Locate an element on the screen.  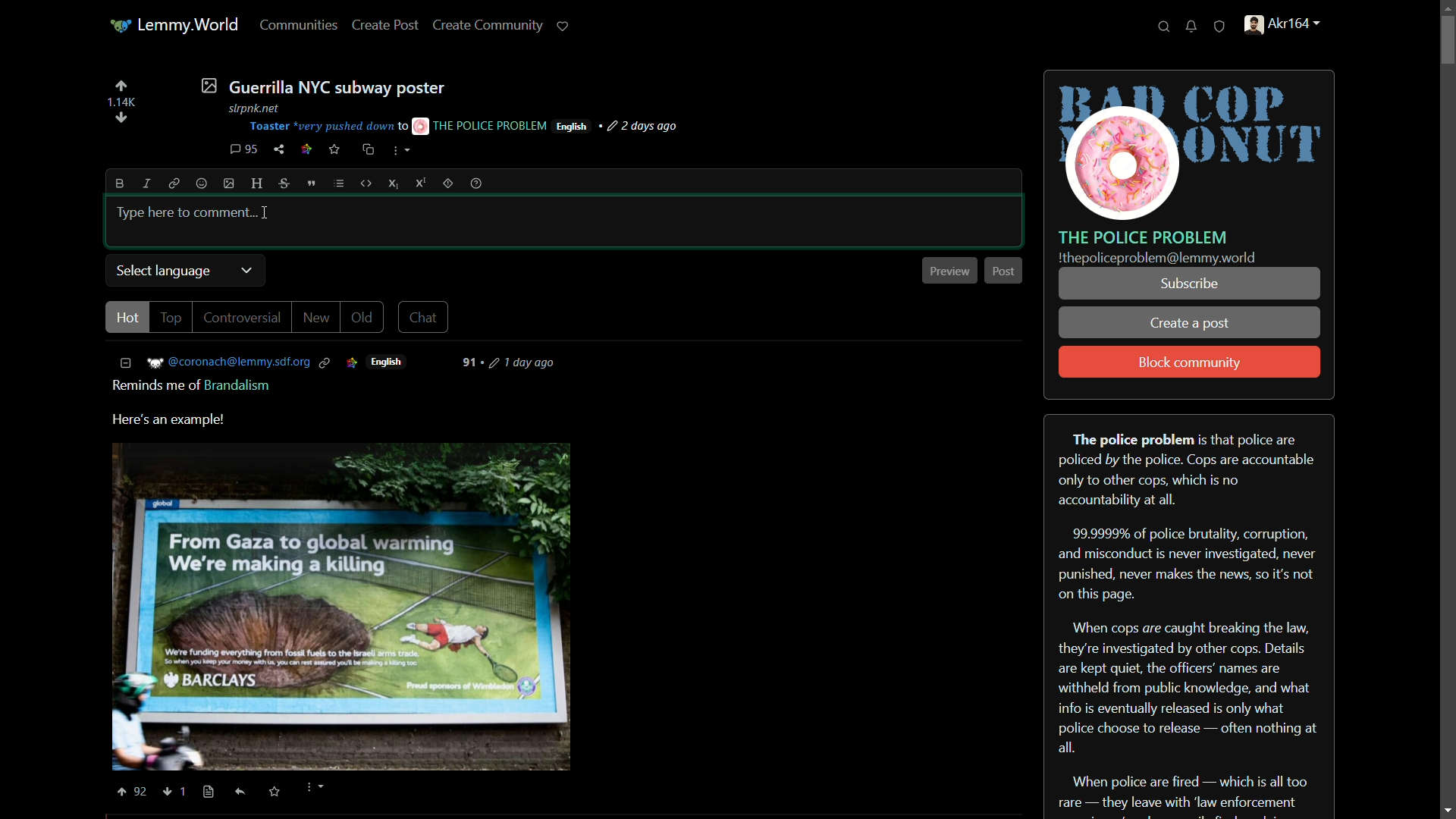
post-title is located at coordinates (322, 86).